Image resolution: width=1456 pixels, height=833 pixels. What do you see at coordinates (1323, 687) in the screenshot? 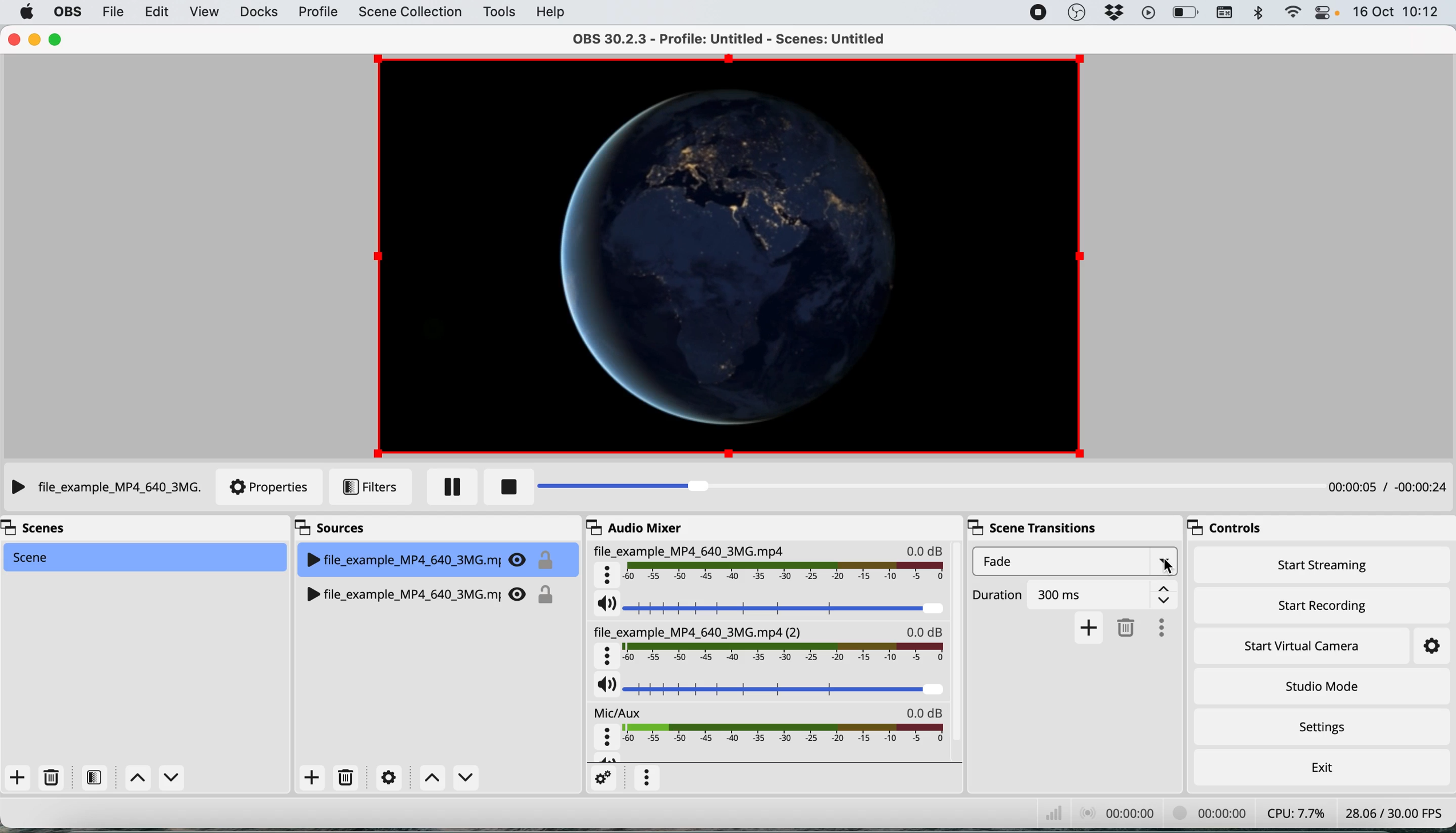
I see `studio mode` at bounding box center [1323, 687].